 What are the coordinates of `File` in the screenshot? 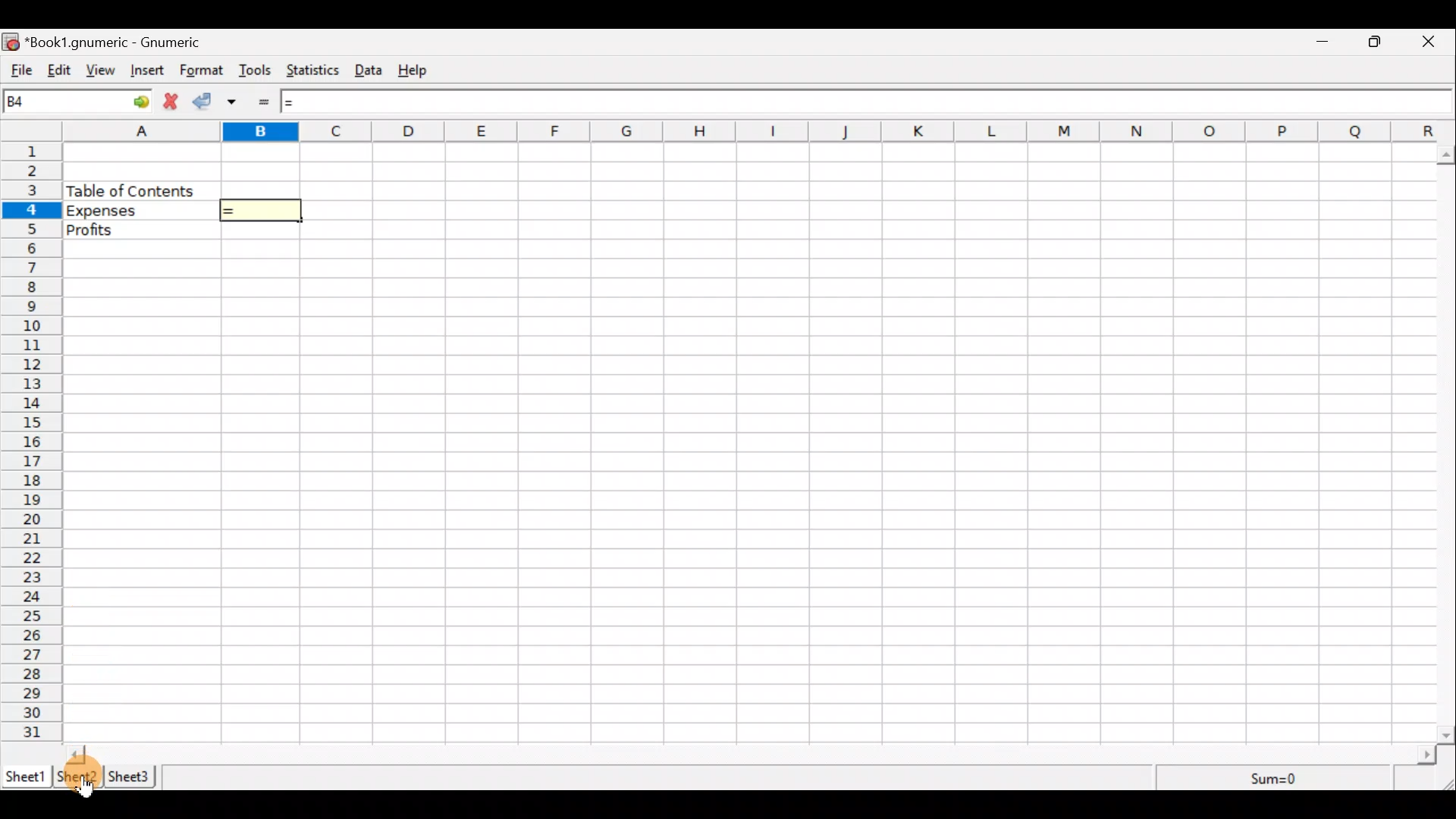 It's located at (19, 71).